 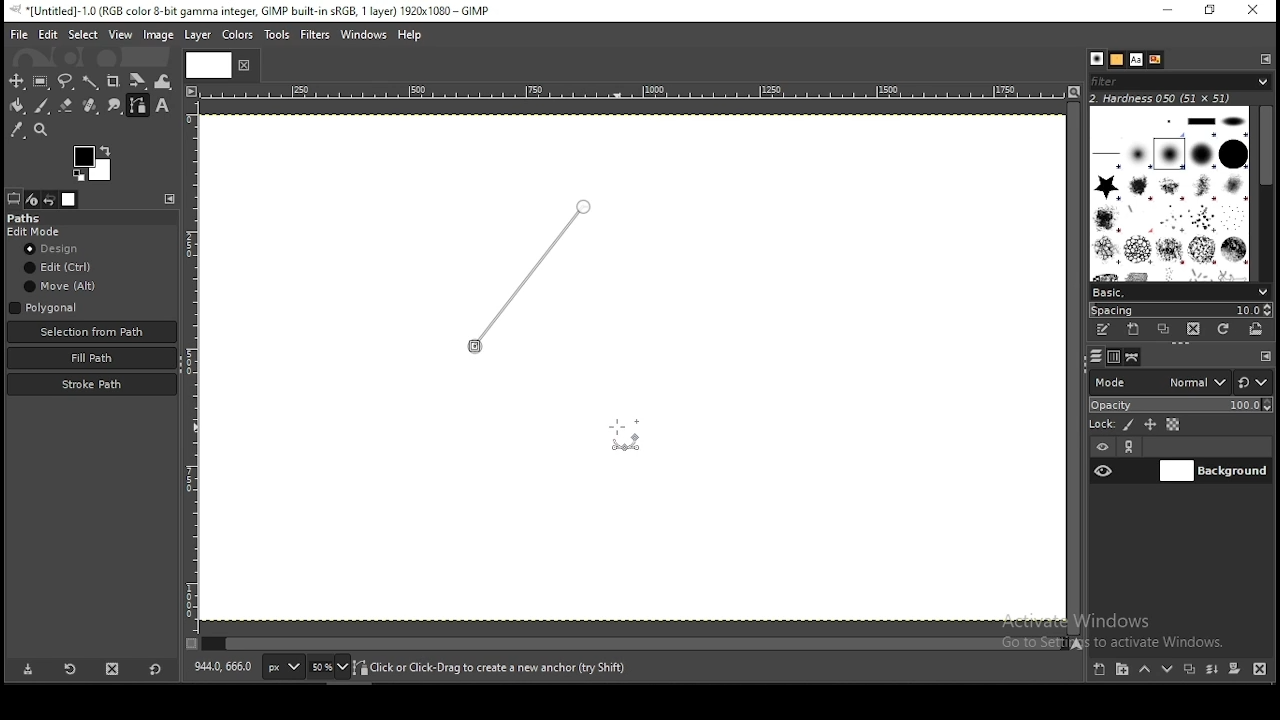 What do you see at coordinates (15, 107) in the screenshot?
I see `paintbucket tool` at bounding box center [15, 107].